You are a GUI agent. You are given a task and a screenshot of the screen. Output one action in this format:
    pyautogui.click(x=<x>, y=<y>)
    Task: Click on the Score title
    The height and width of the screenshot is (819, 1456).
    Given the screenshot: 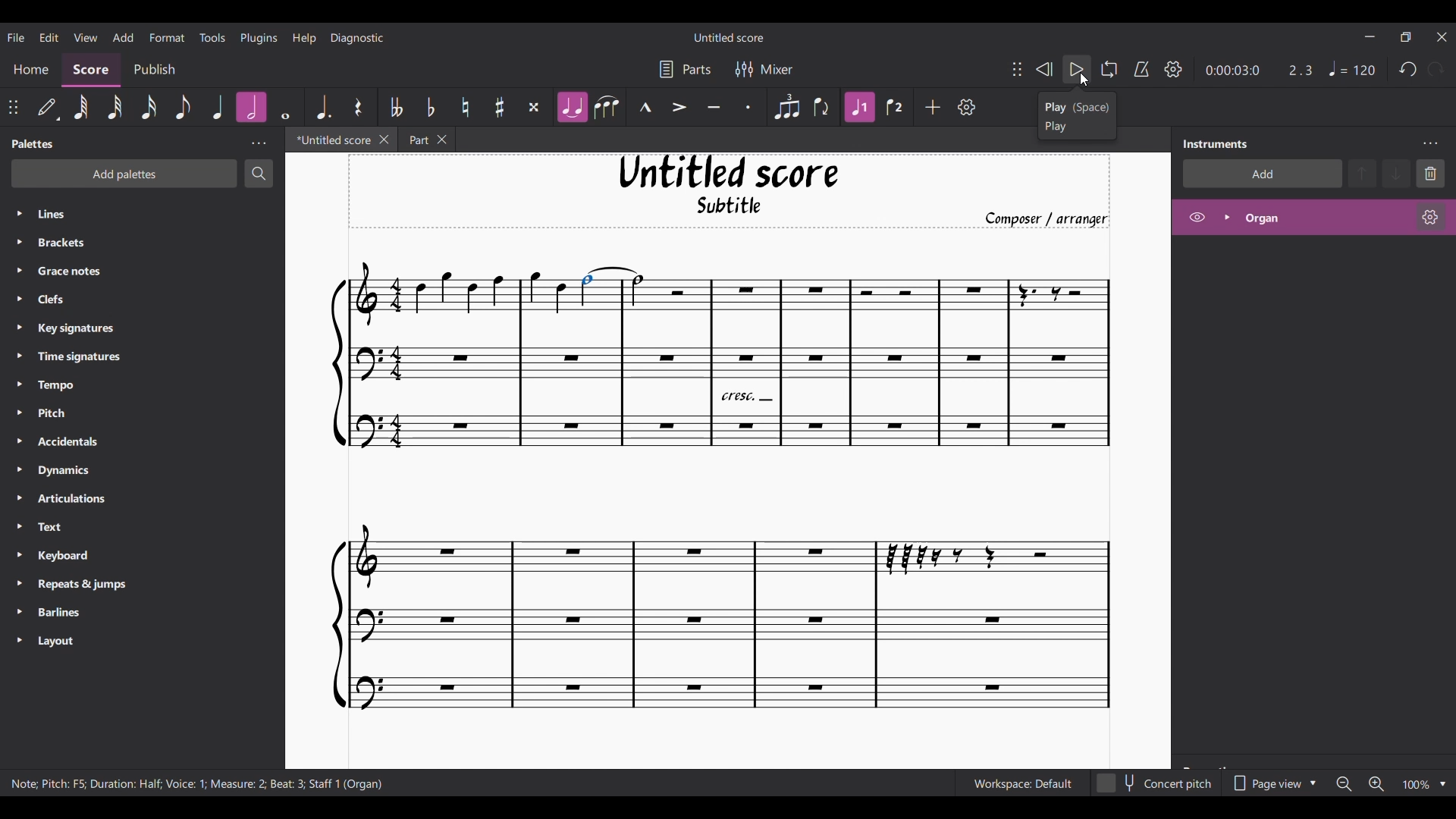 What is the action you would take?
    pyautogui.click(x=729, y=37)
    